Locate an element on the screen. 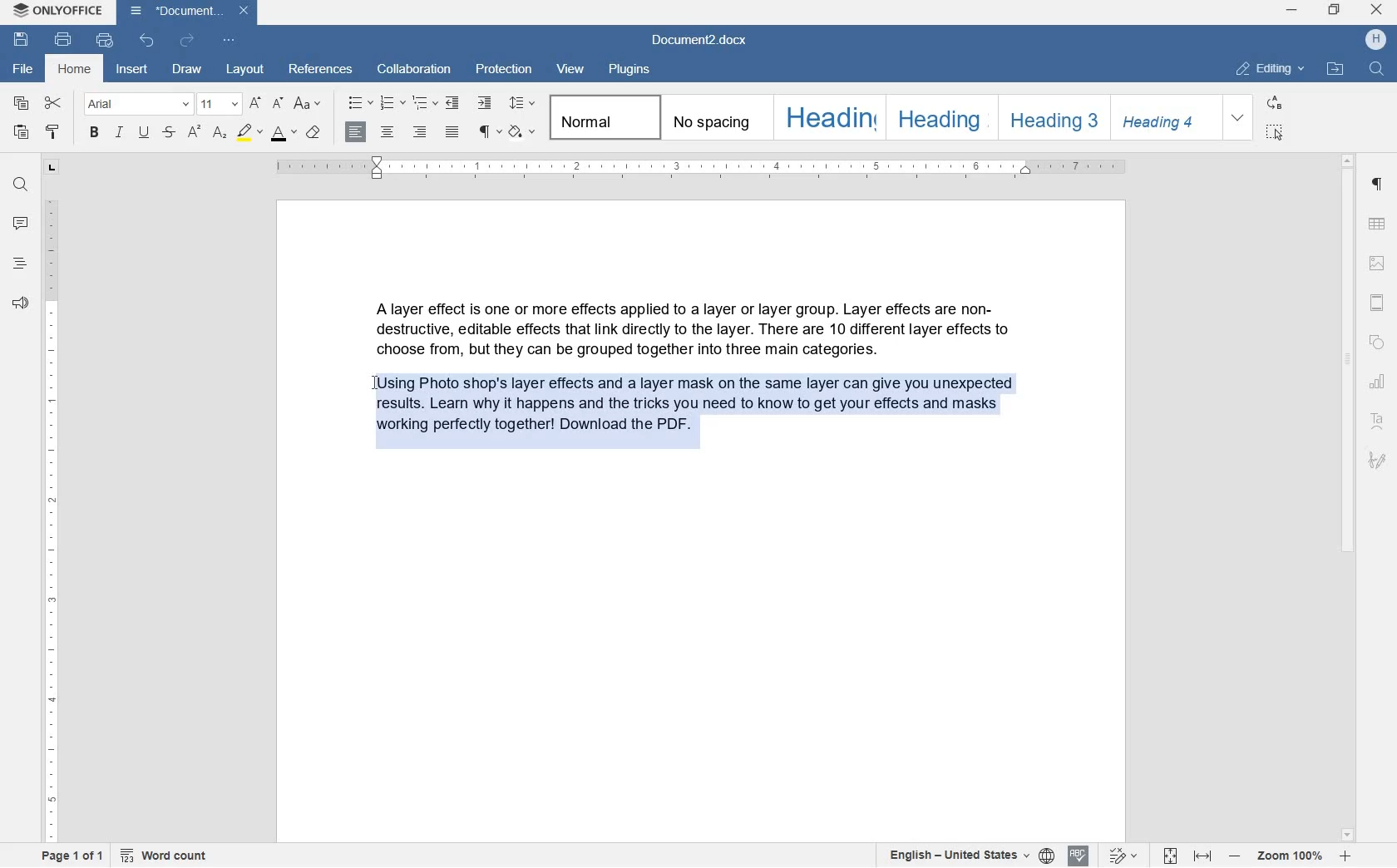  DECREASE INDENT is located at coordinates (453, 104).